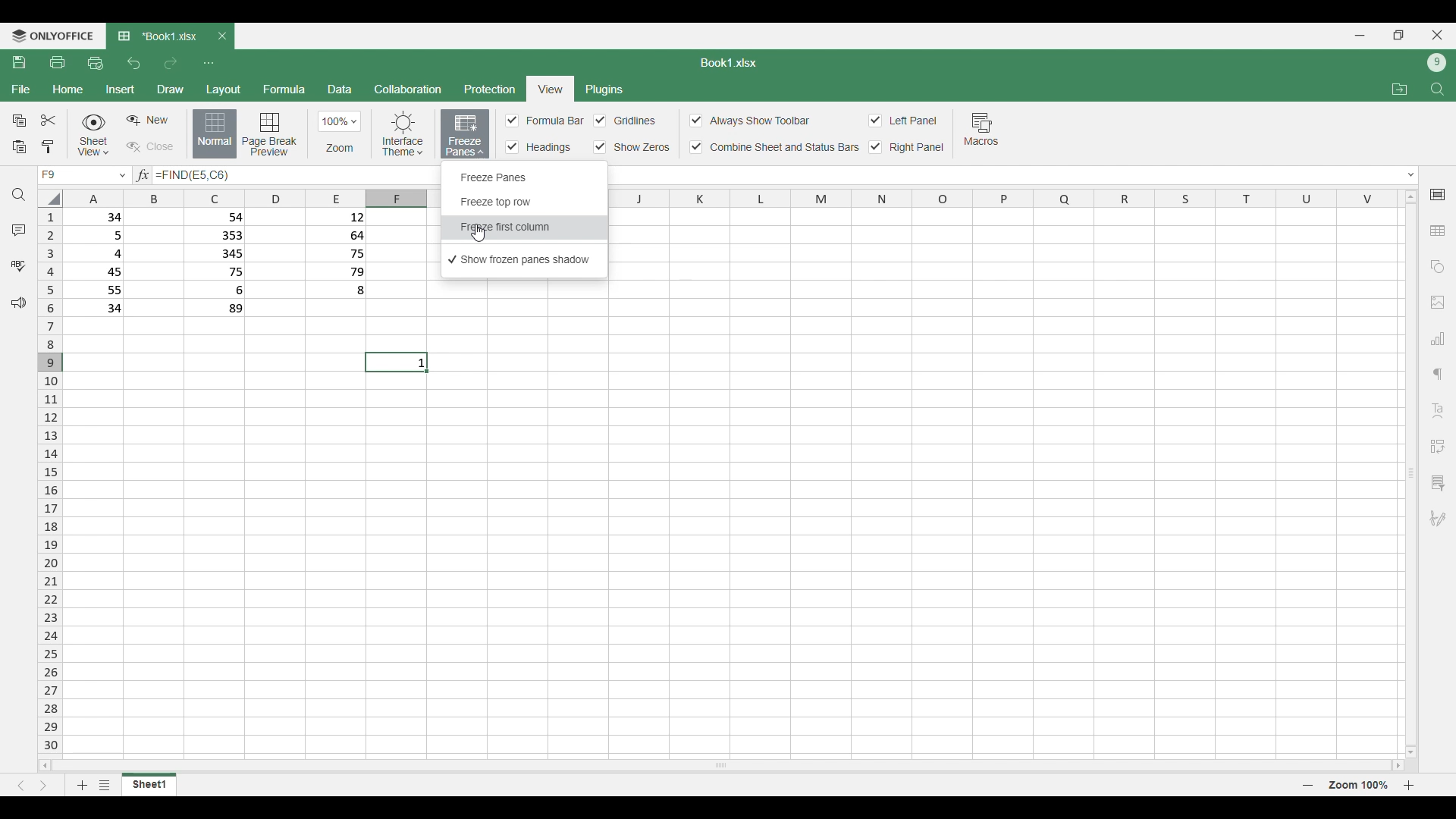 The image size is (1456, 819). I want to click on Click to select all cells, so click(49, 196).